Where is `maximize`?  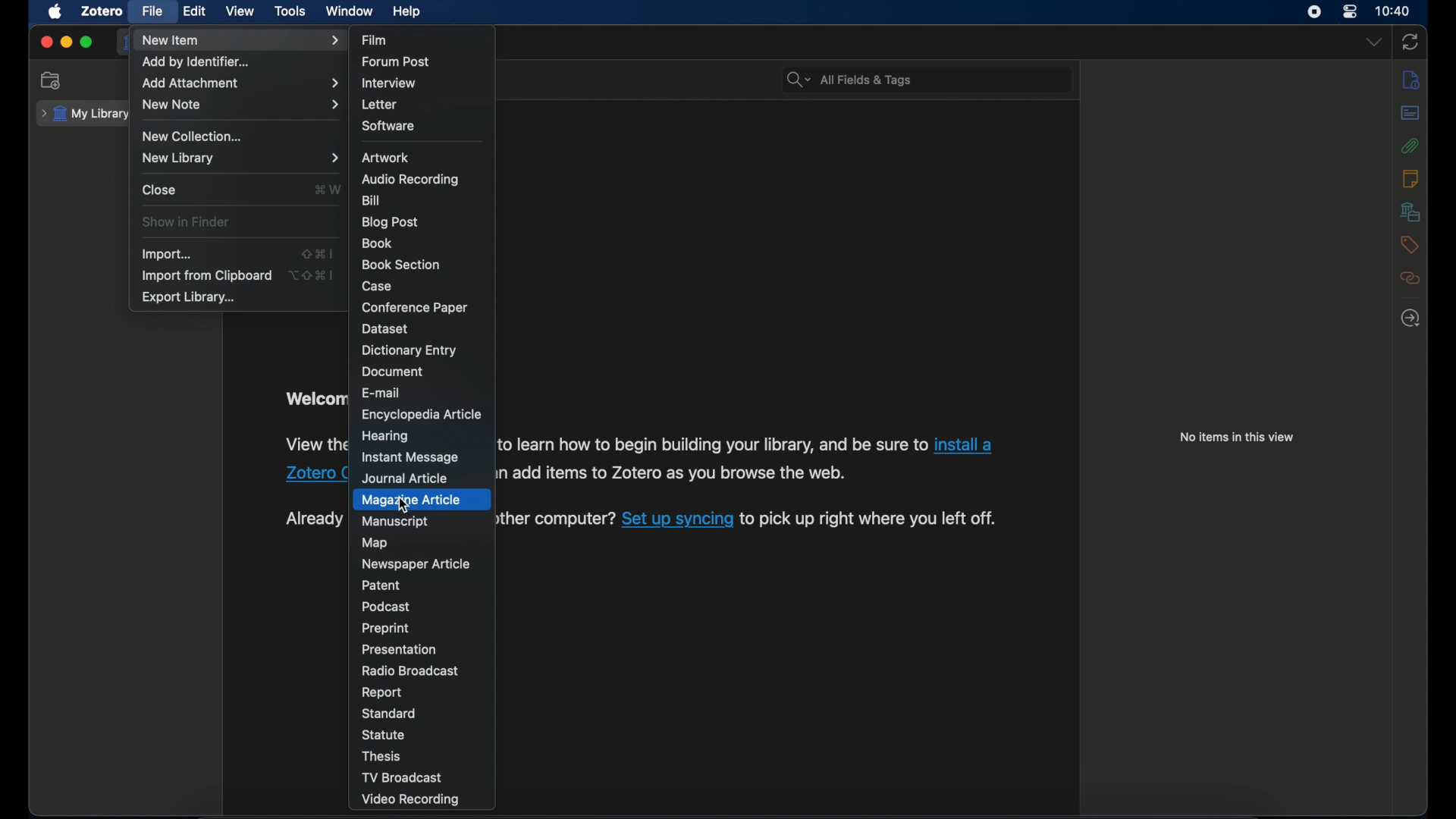 maximize is located at coordinates (86, 42).